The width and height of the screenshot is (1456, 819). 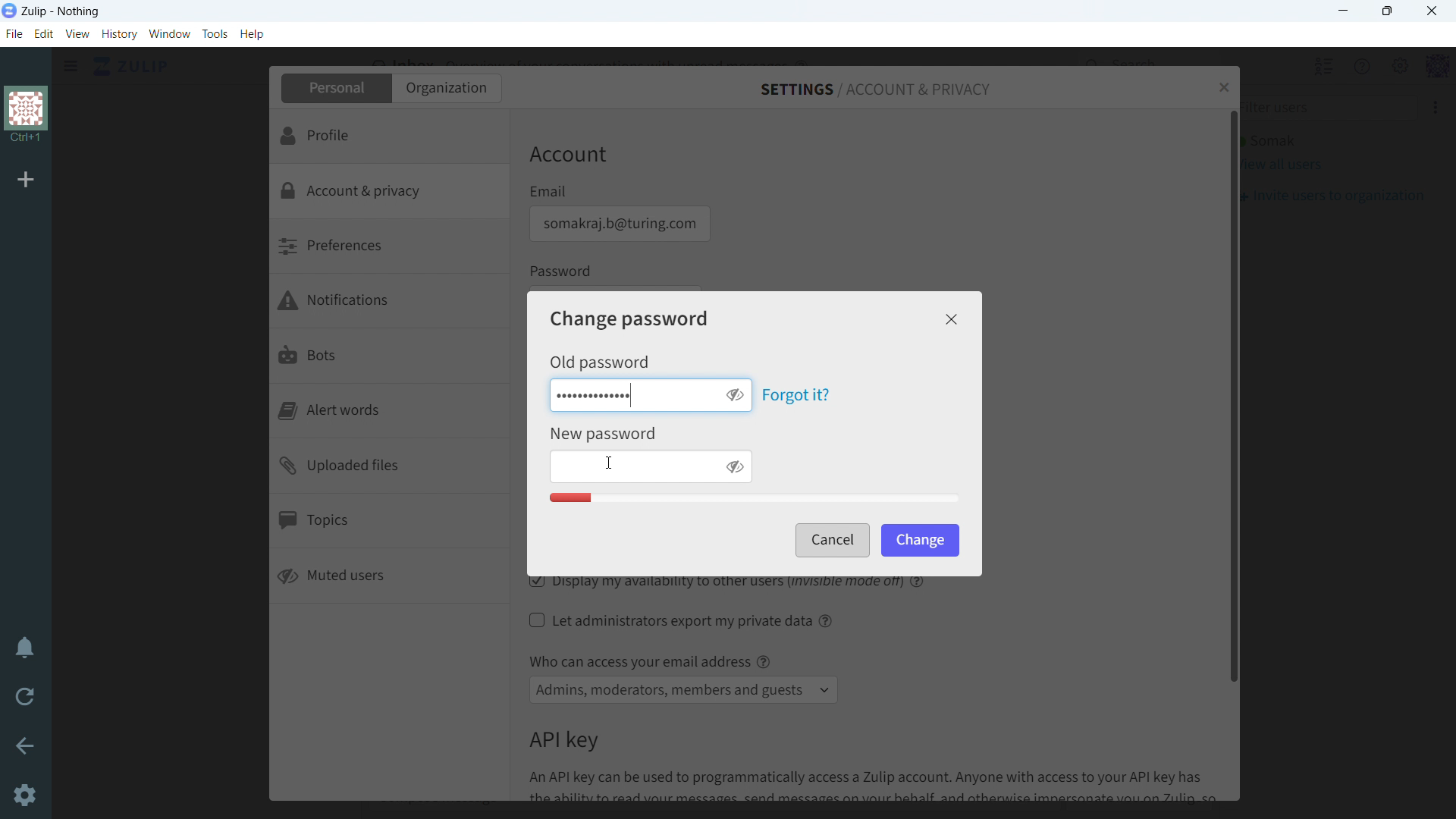 What do you see at coordinates (389, 248) in the screenshot?
I see `preferences` at bounding box center [389, 248].